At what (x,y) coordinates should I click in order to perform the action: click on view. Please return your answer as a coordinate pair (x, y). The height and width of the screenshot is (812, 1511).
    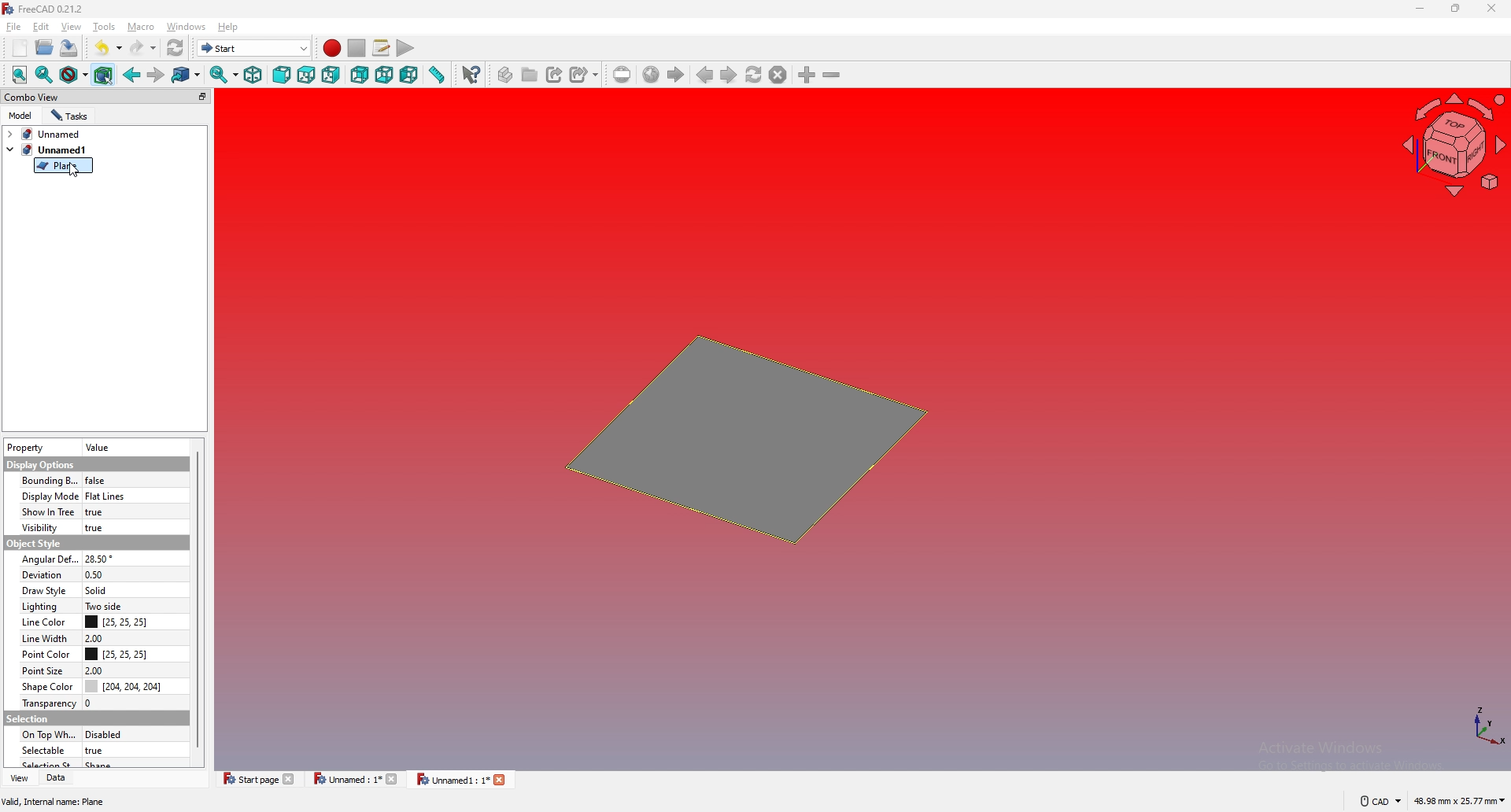
    Looking at the image, I should click on (72, 26).